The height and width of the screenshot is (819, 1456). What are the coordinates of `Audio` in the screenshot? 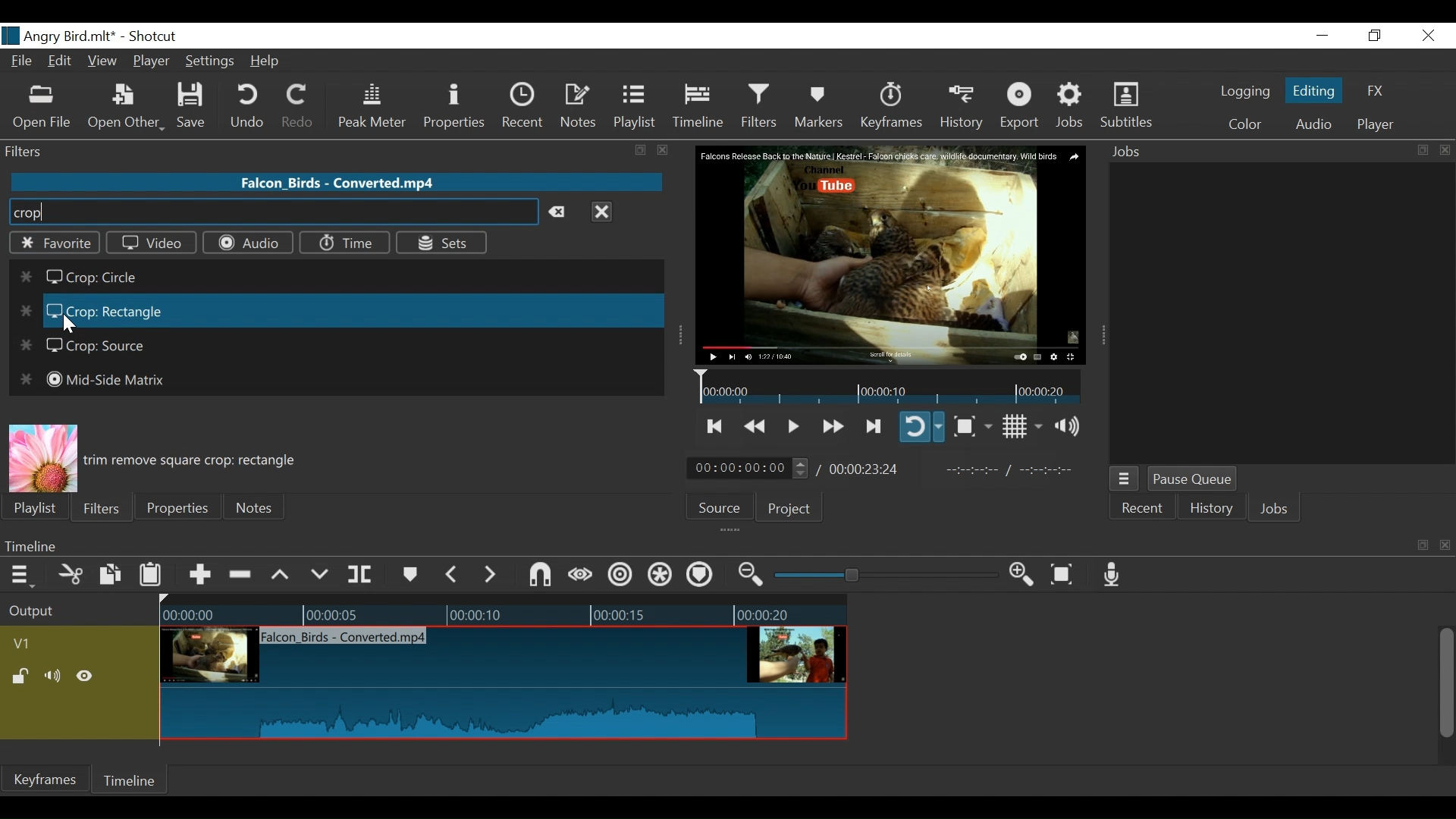 It's located at (1313, 126).